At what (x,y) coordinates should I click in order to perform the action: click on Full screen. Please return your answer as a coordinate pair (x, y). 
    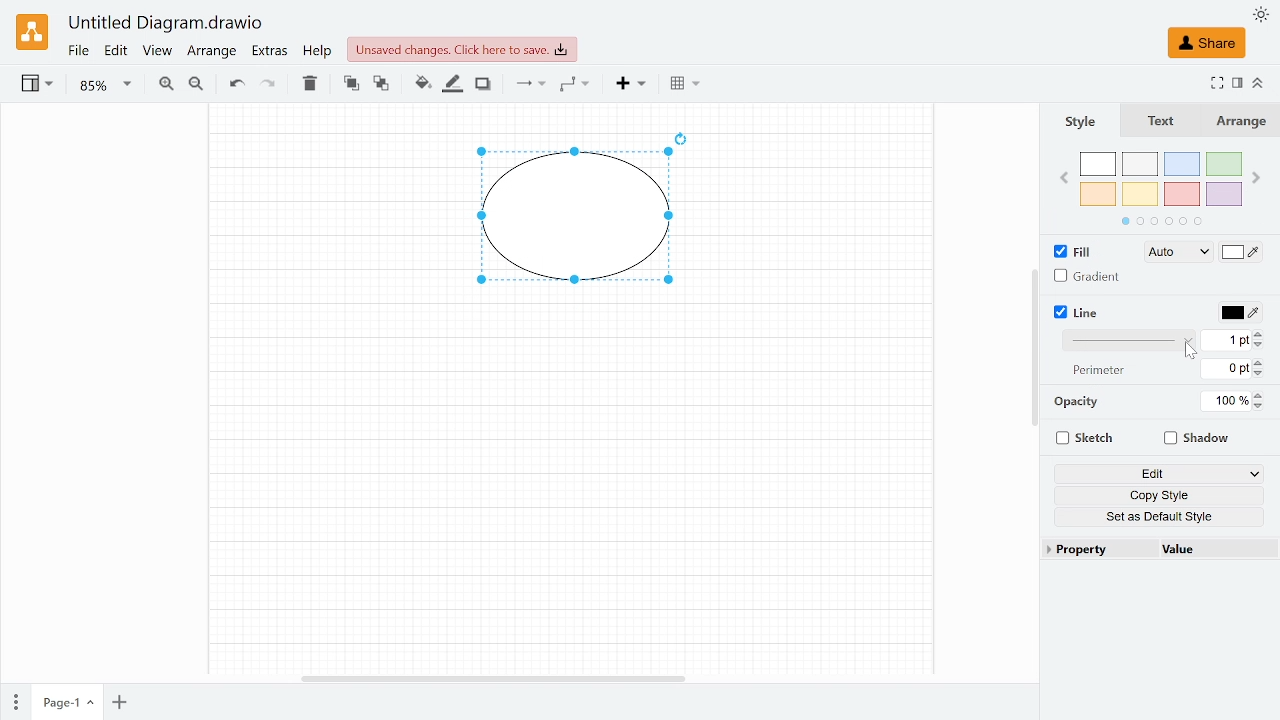
    Looking at the image, I should click on (1216, 83).